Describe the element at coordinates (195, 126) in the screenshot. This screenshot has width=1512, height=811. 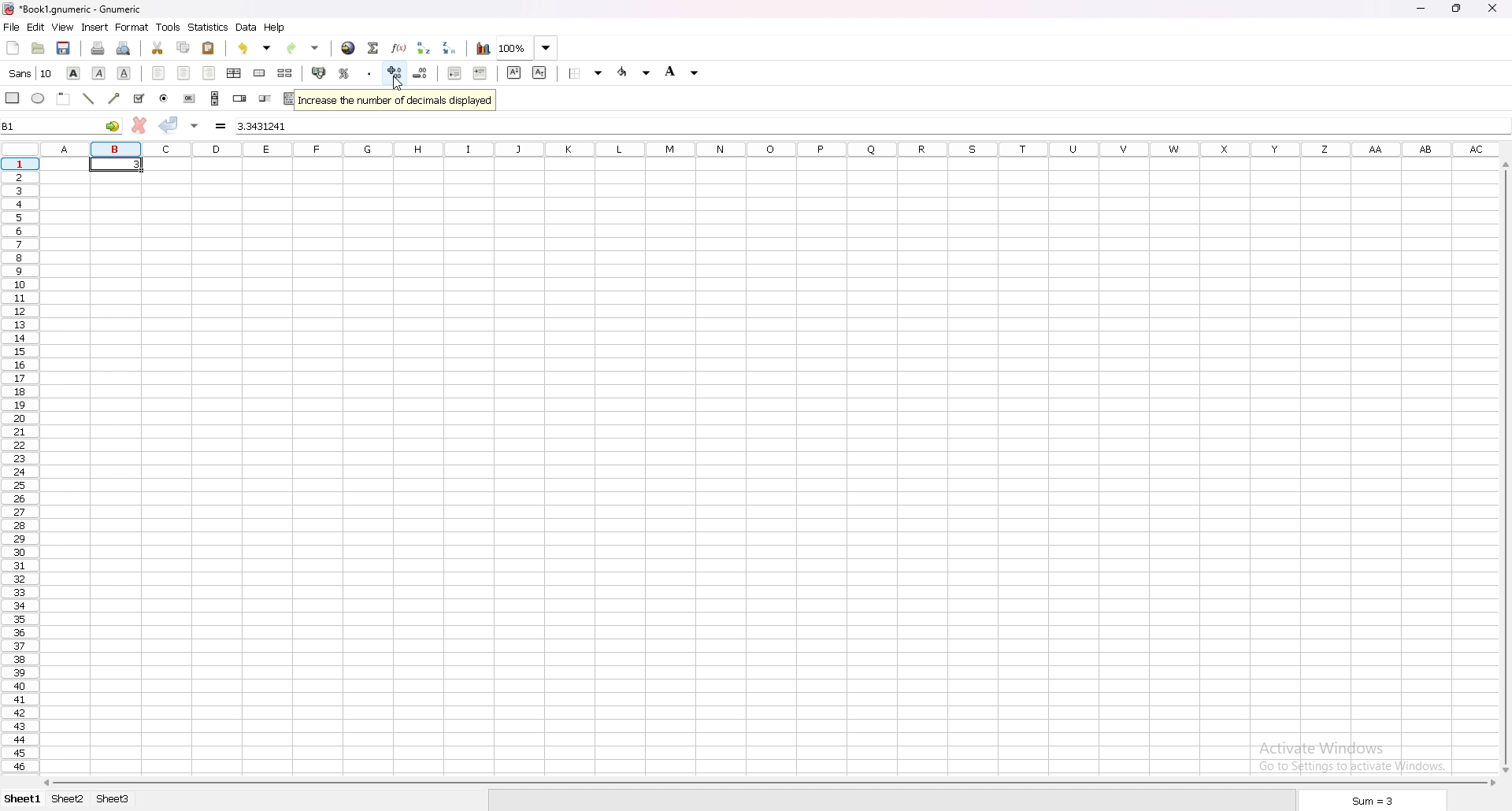
I see `accept changes in multiple cells` at that location.